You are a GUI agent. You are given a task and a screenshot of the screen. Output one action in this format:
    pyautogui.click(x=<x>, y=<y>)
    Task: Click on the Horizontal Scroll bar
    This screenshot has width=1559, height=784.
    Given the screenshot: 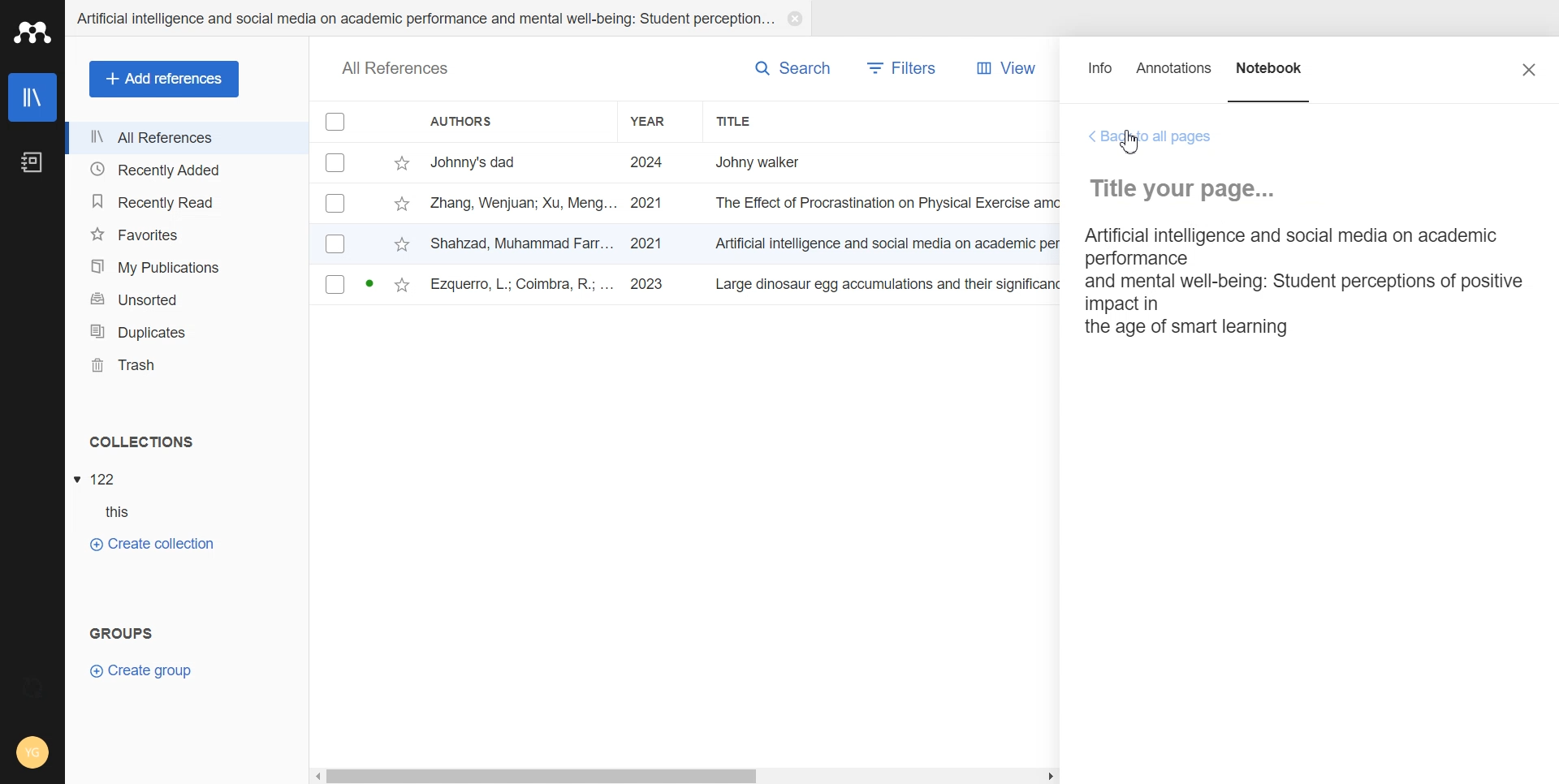 What is the action you would take?
    pyautogui.click(x=686, y=774)
    